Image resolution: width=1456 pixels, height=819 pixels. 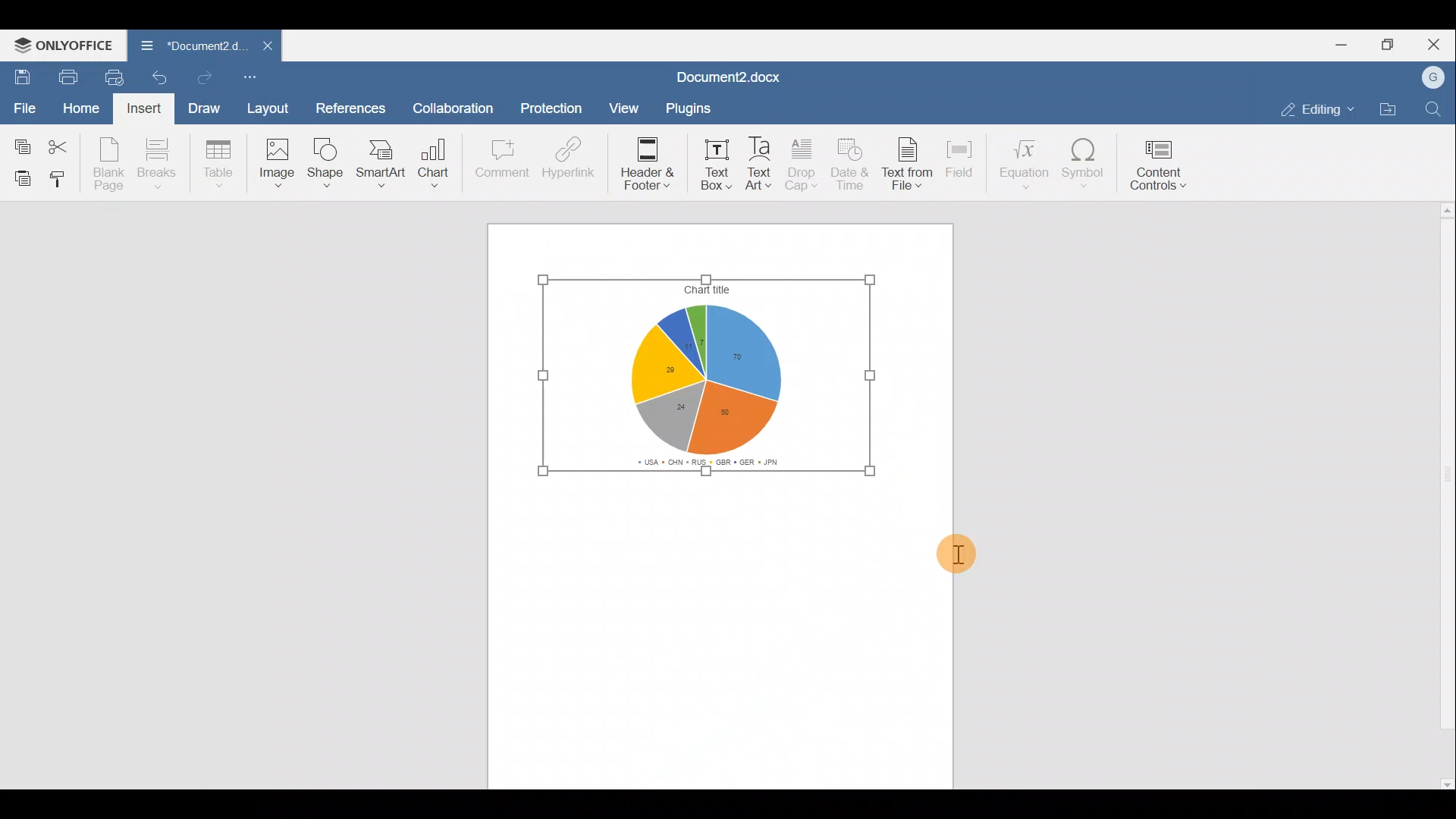 I want to click on Find, so click(x=1436, y=106).